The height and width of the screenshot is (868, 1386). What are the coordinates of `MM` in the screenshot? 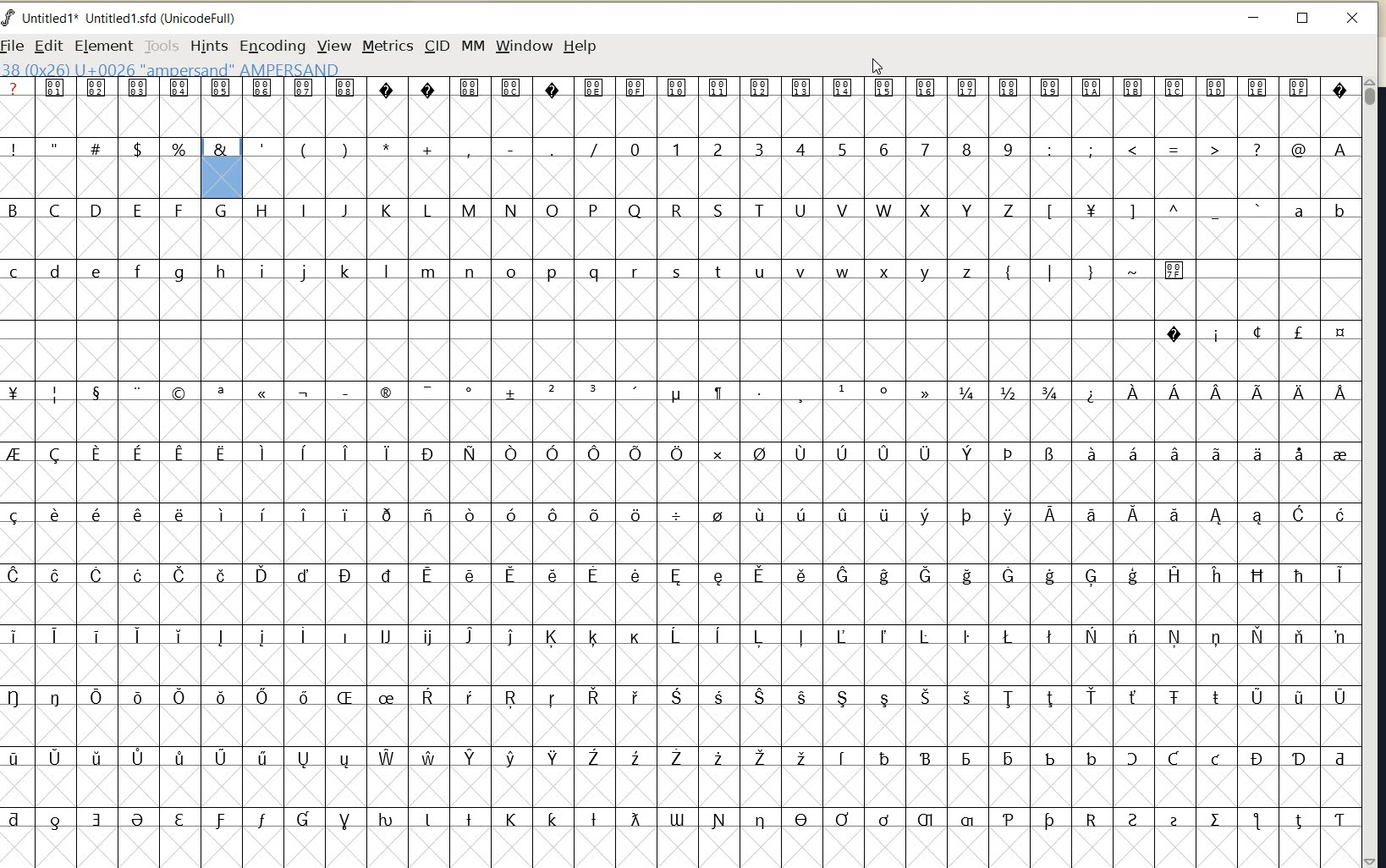 It's located at (471, 45).